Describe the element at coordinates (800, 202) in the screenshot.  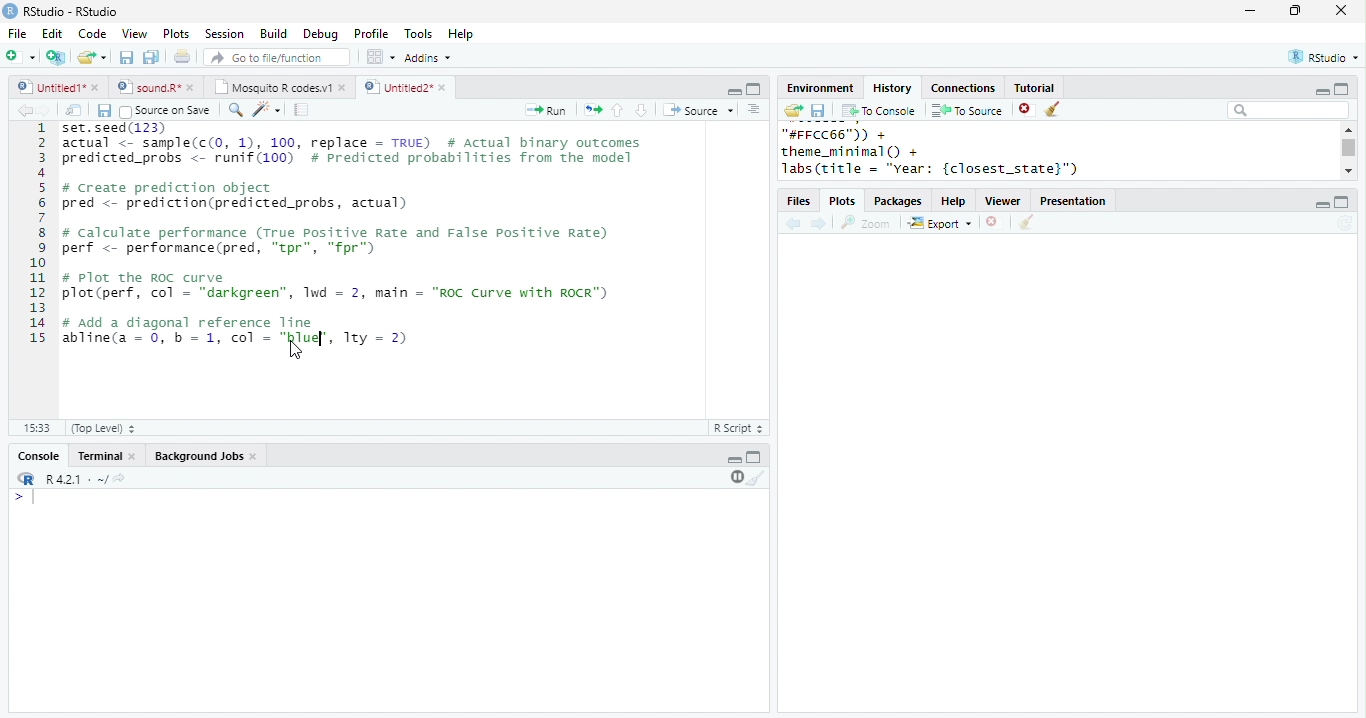
I see `files` at that location.